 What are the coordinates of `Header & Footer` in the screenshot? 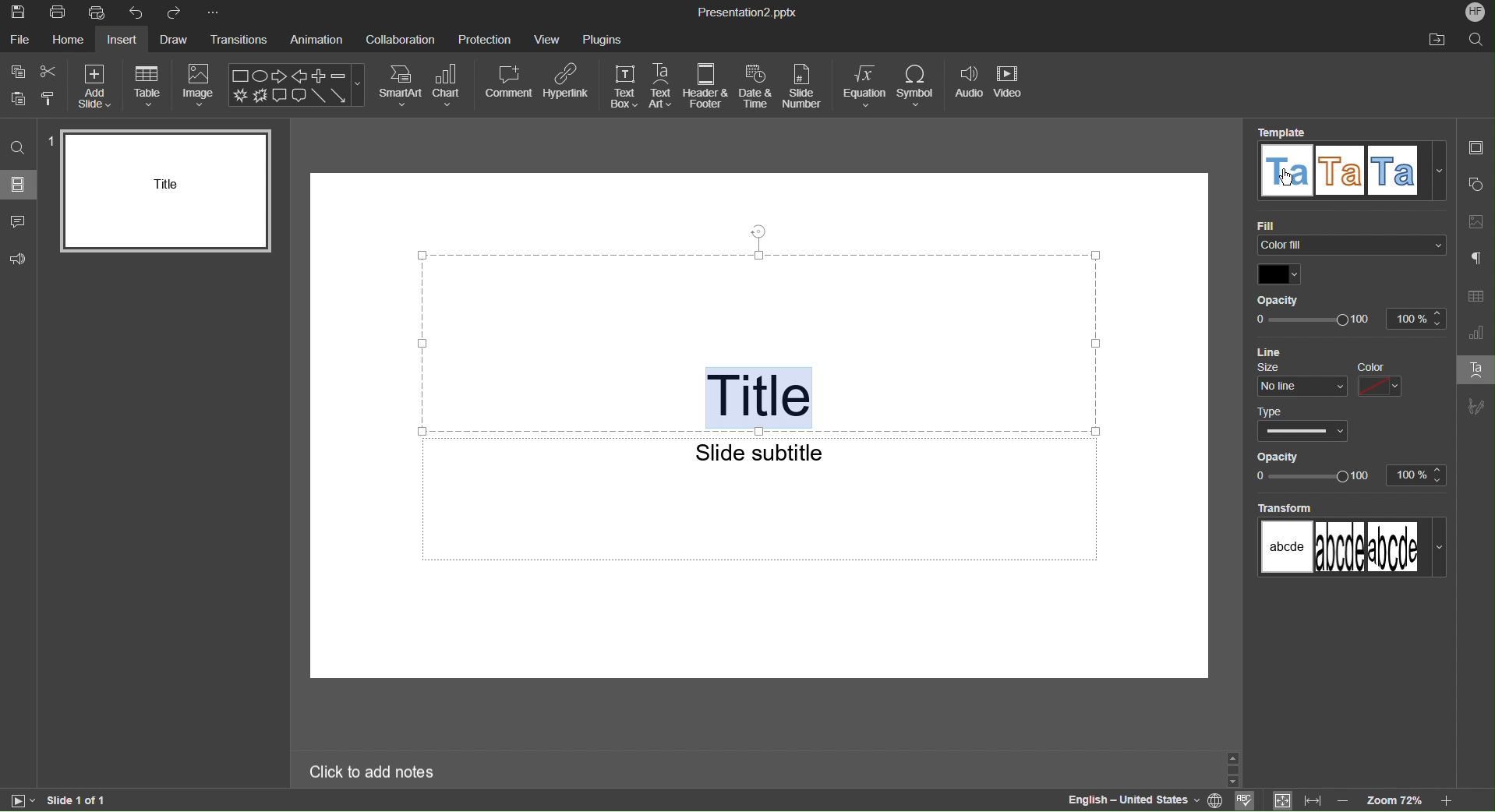 It's located at (707, 86).